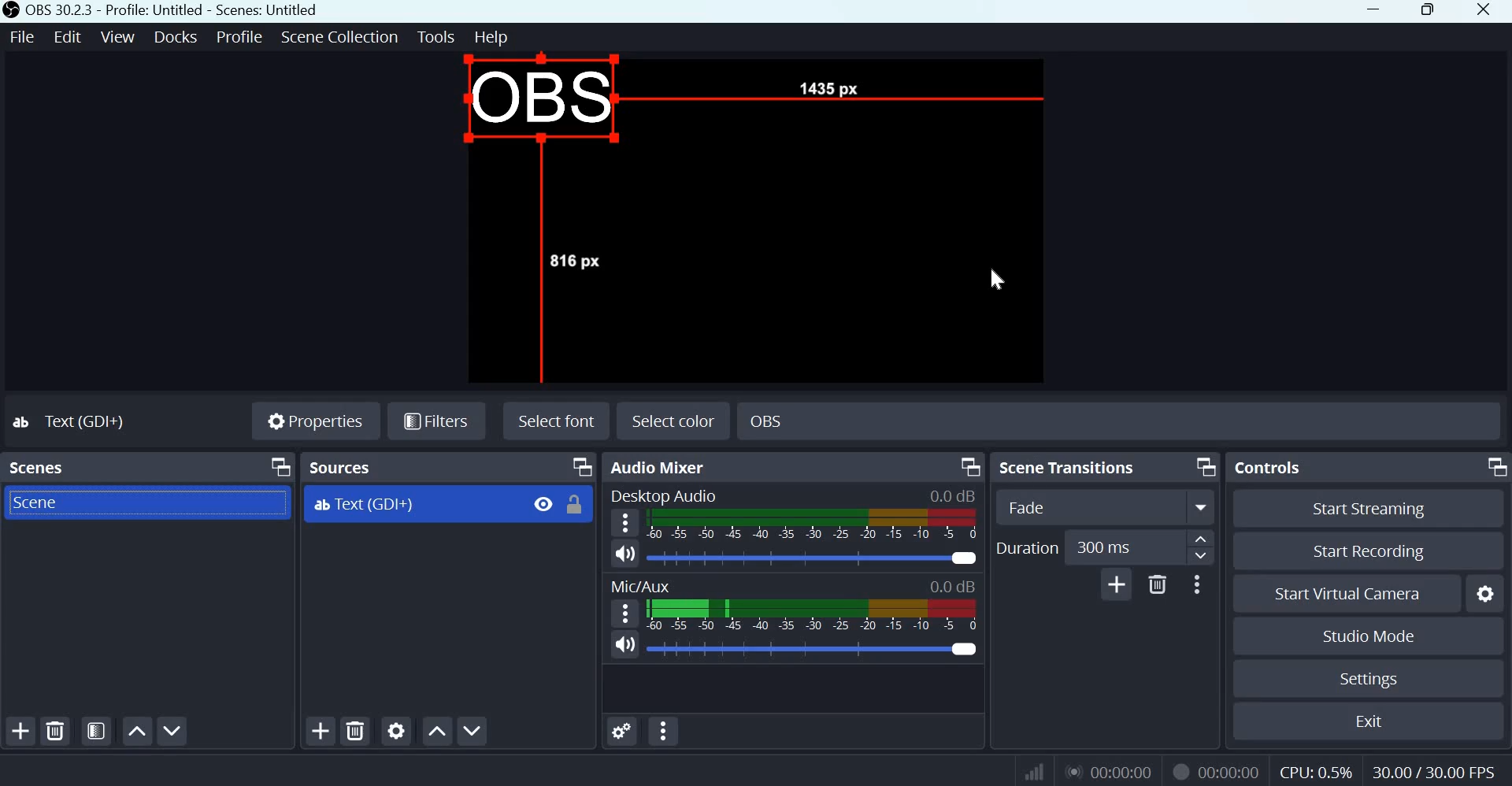  What do you see at coordinates (322, 730) in the screenshot?
I see `Add source(s)` at bounding box center [322, 730].